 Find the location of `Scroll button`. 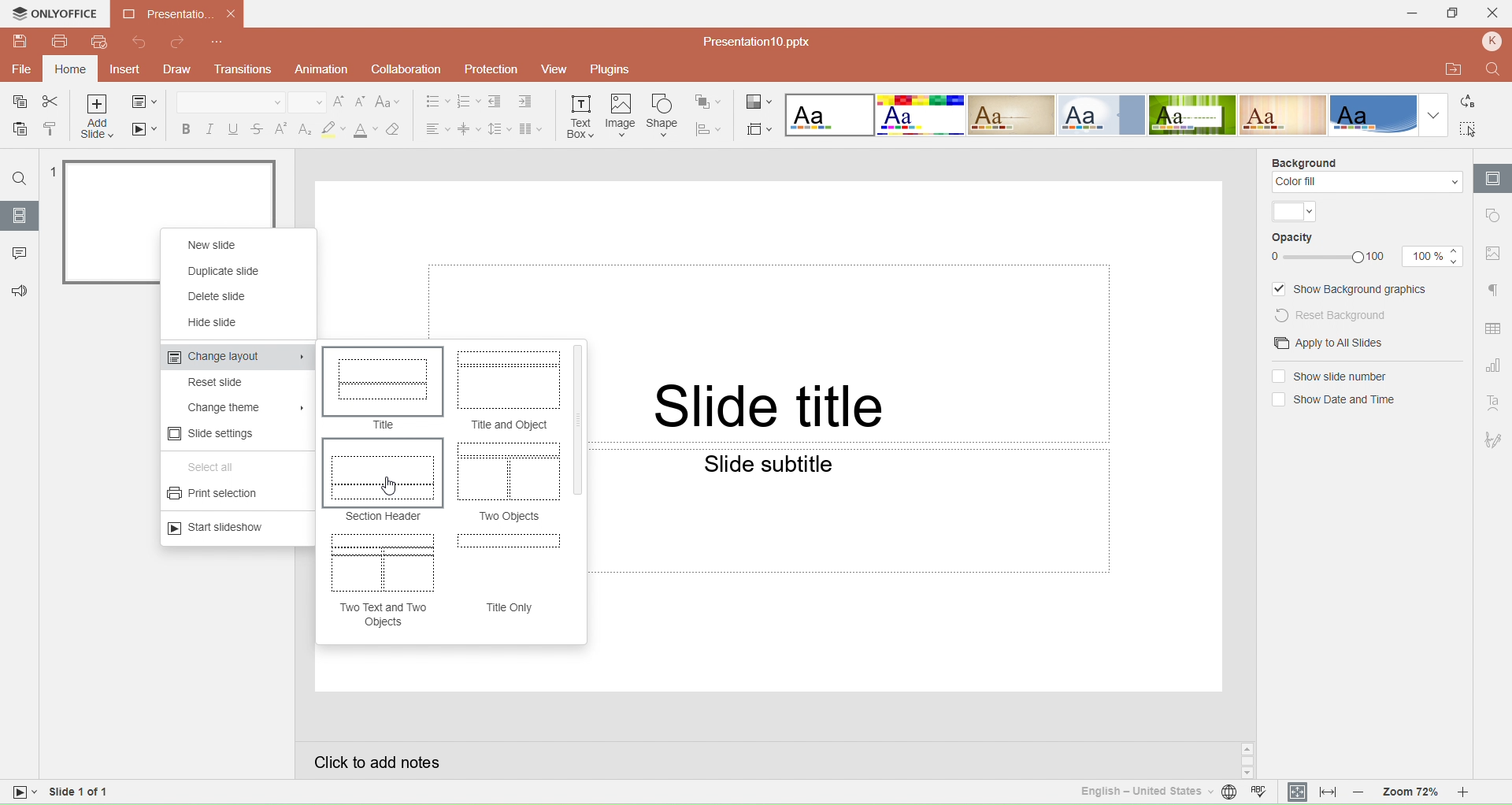

Scroll button is located at coordinates (1247, 760).